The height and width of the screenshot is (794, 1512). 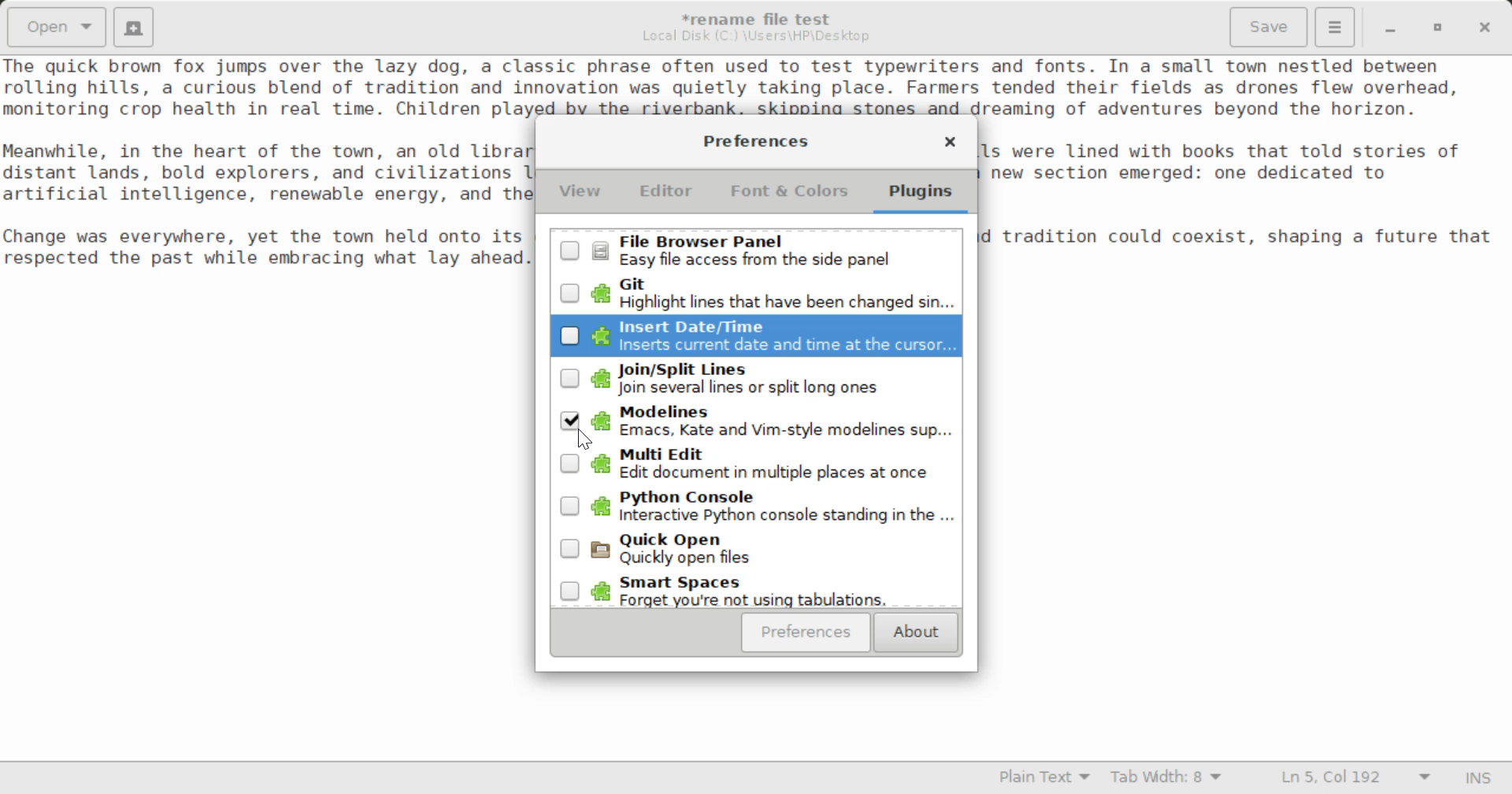 I want to click on File Name , so click(x=761, y=17).